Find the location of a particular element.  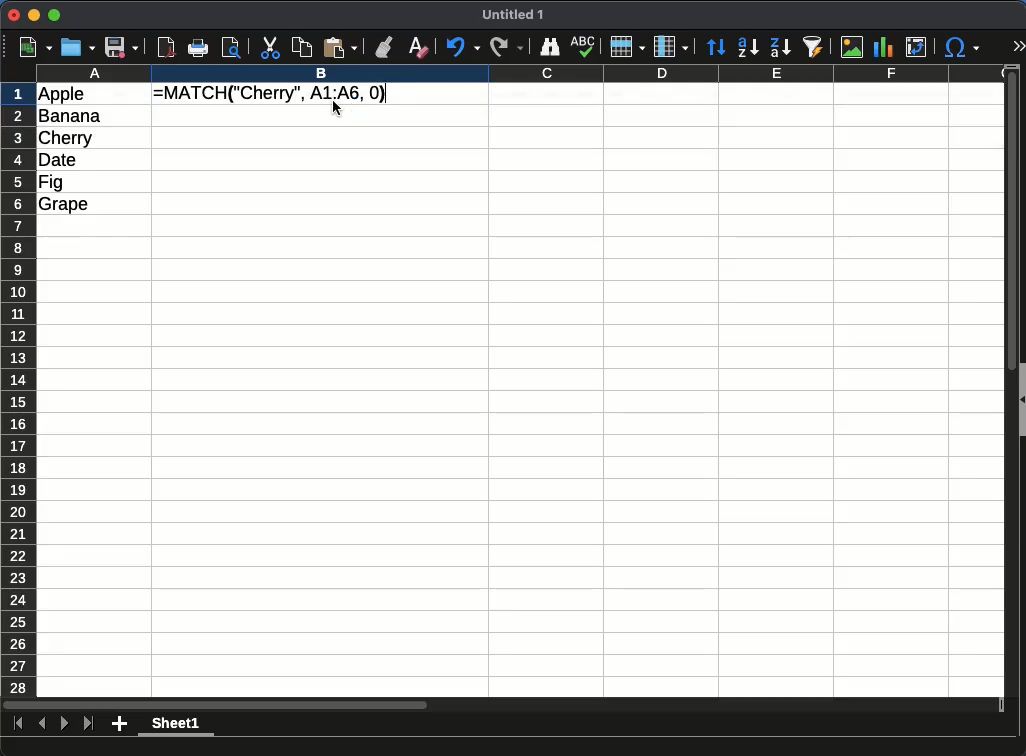

open is located at coordinates (78, 48).